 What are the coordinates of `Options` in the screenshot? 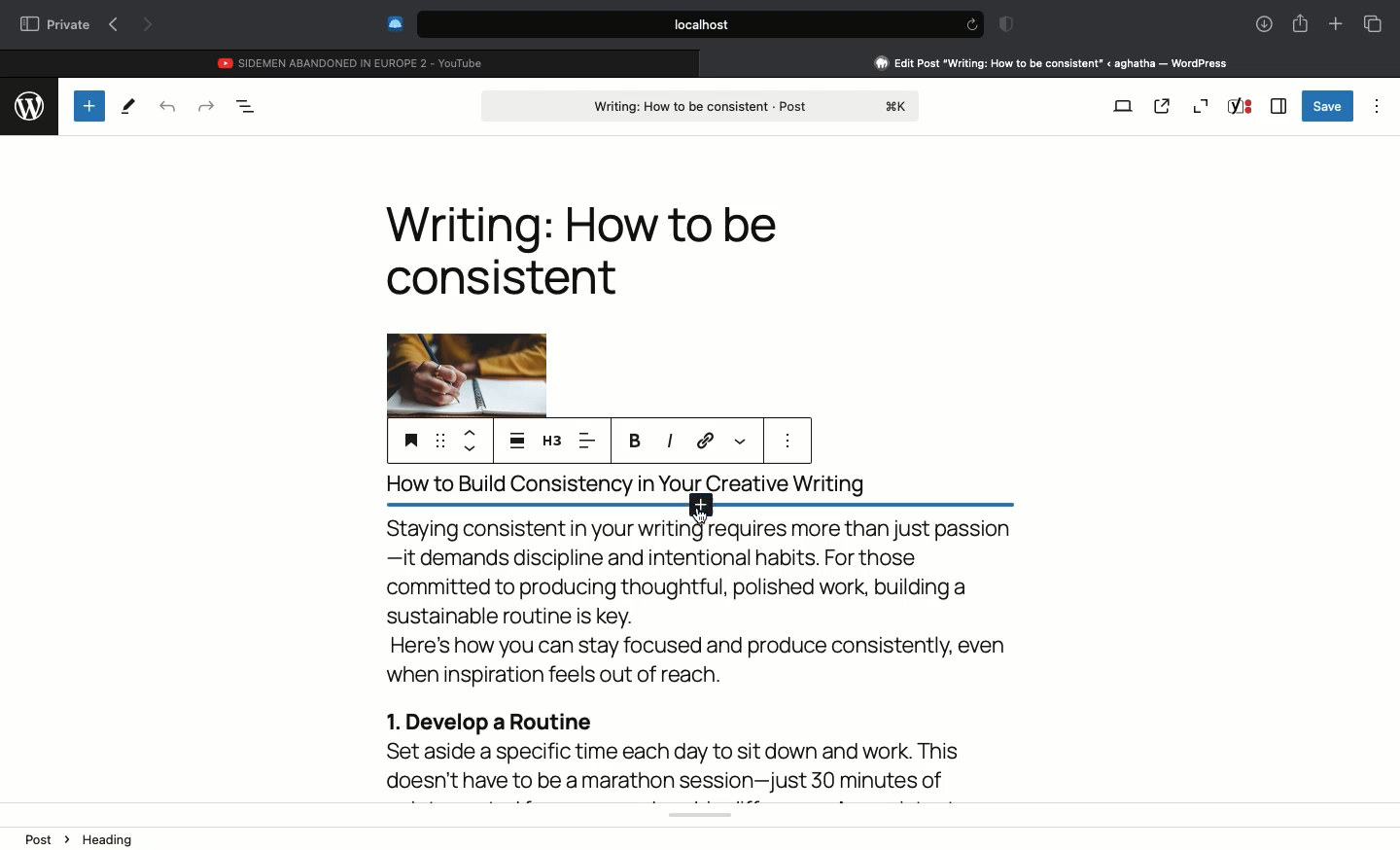 It's located at (1379, 103).